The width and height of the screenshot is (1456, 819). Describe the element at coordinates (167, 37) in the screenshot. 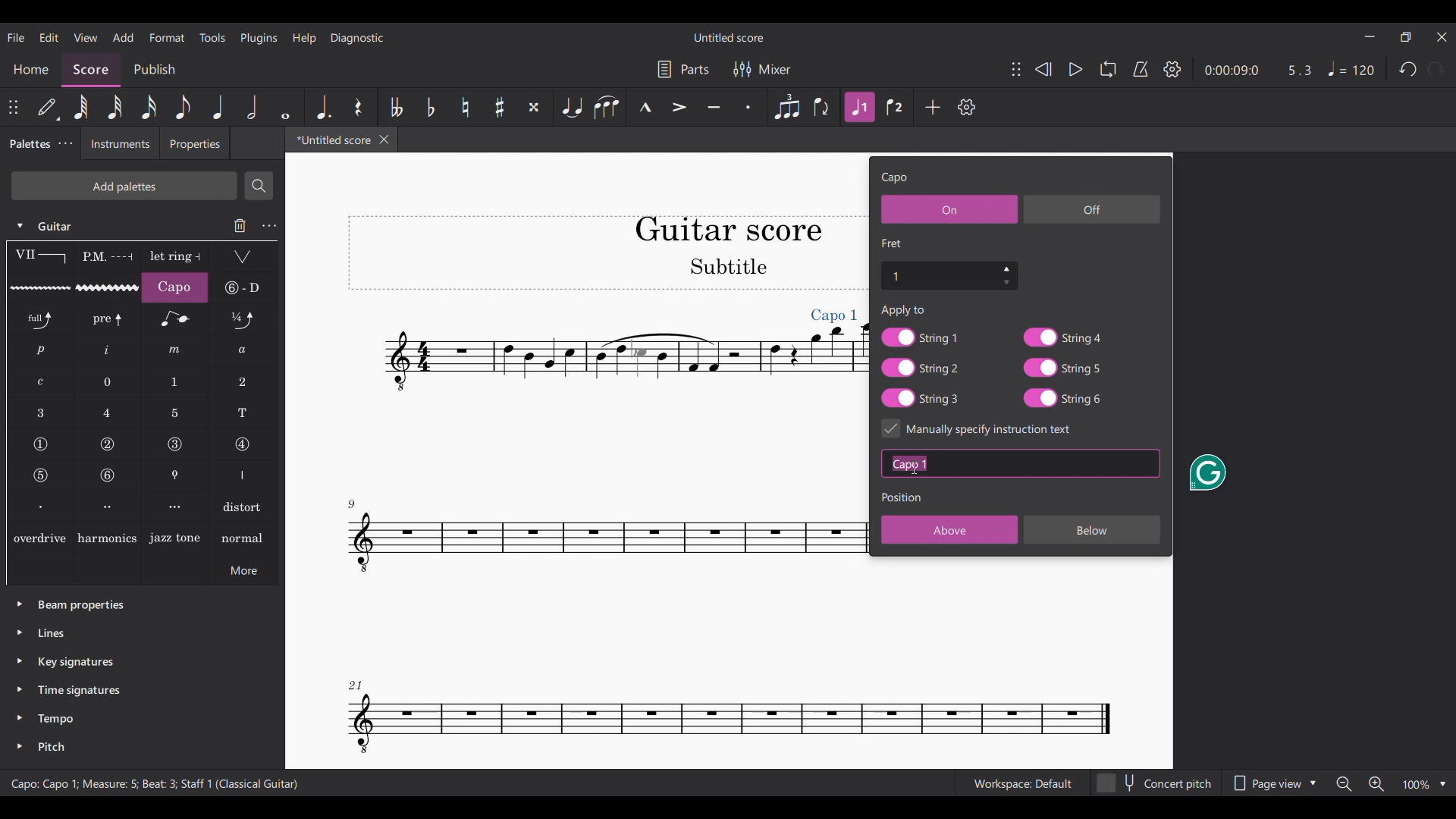

I see `Format menu` at that location.